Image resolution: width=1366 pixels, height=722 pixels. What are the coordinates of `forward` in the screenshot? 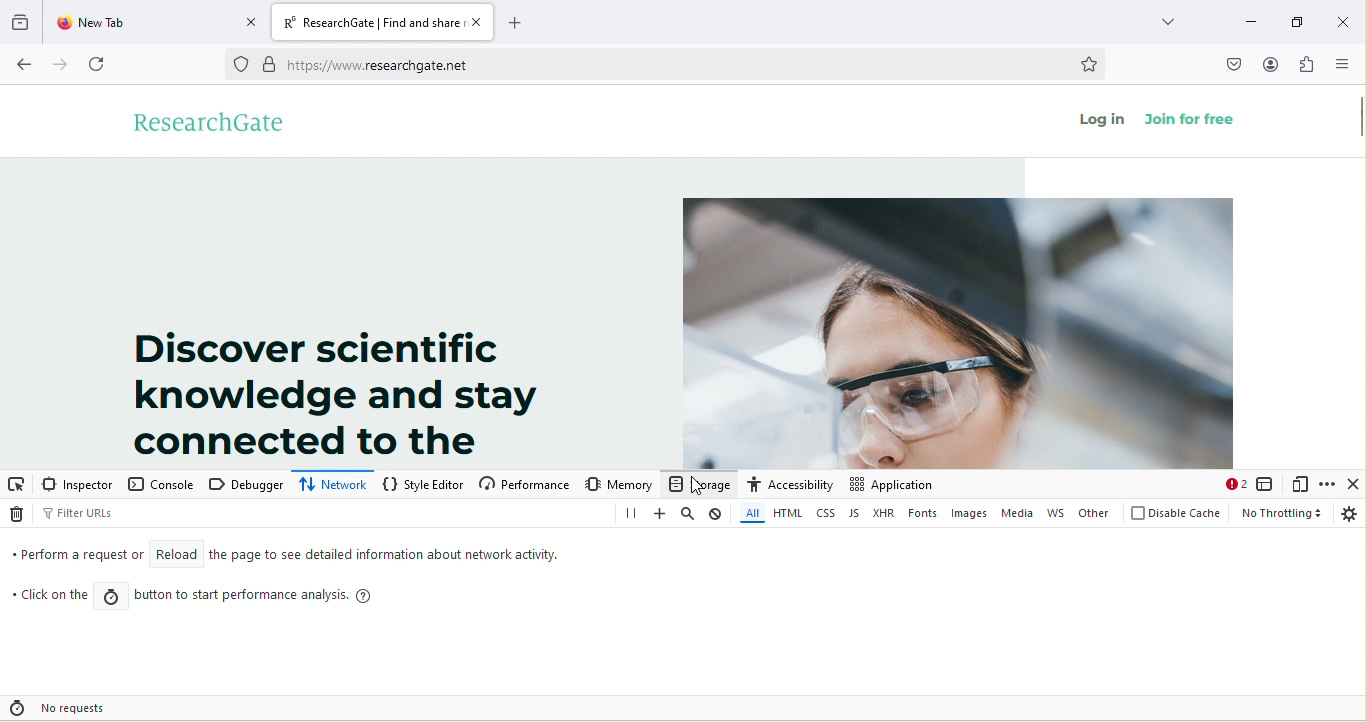 It's located at (60, 63).